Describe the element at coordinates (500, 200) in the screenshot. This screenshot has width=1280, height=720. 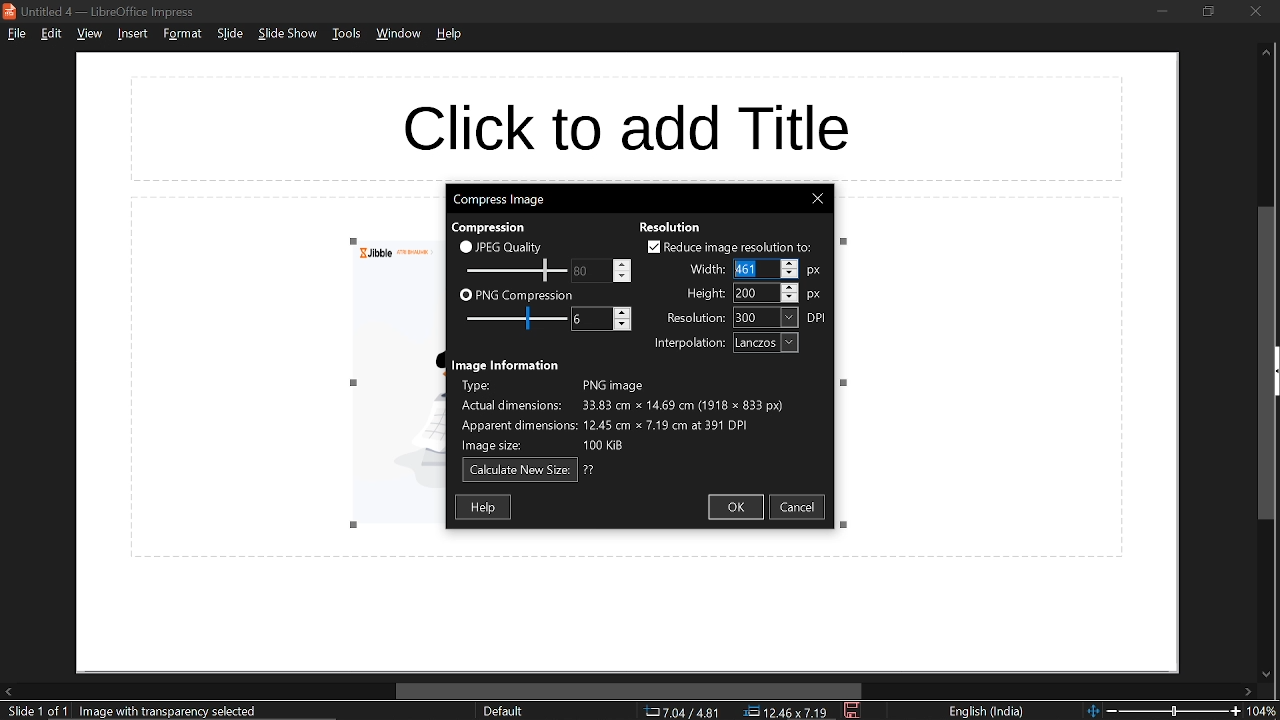
I see `current window` at that location.